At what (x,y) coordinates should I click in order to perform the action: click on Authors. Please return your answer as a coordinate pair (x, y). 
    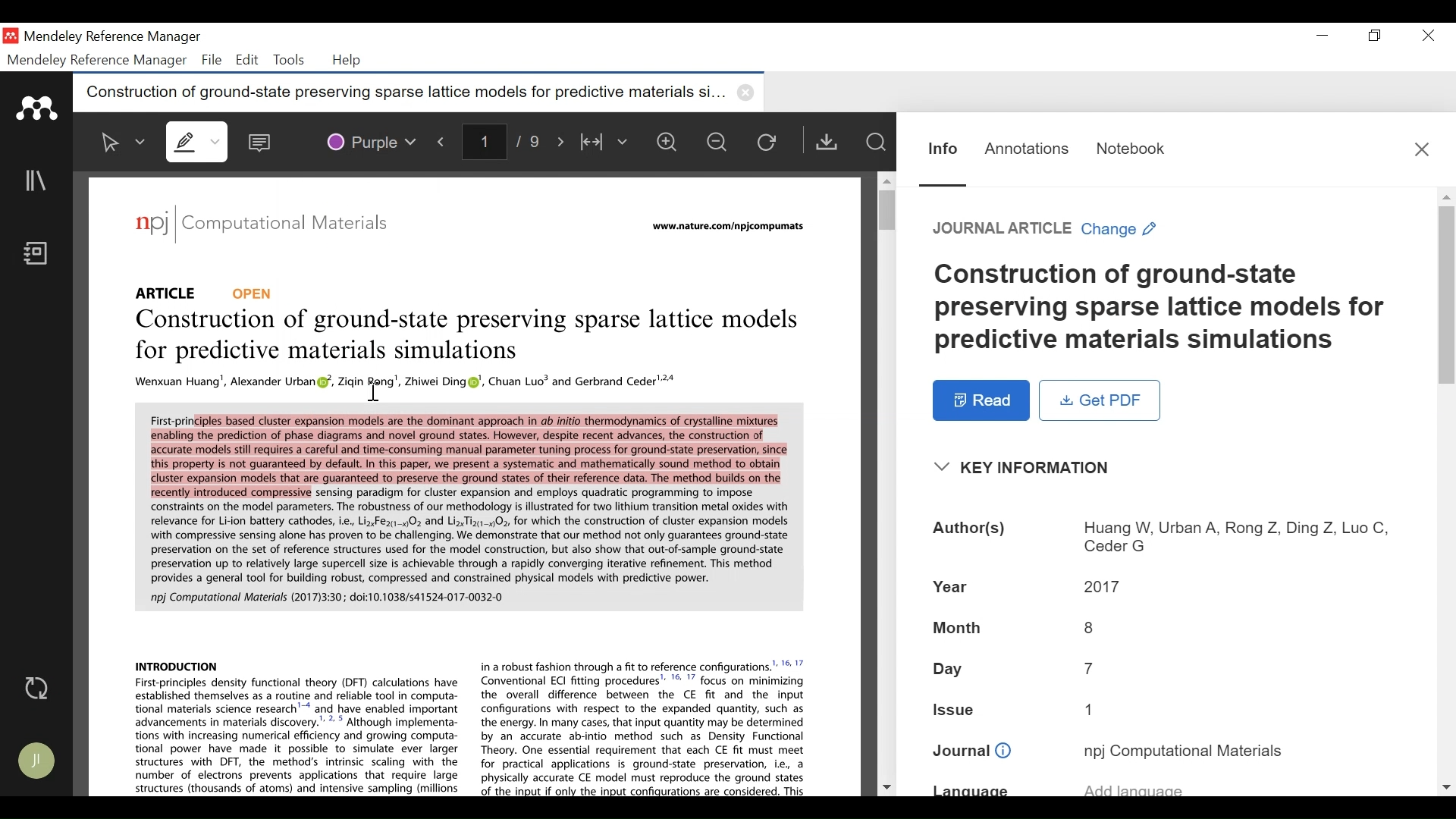
    Looking at the image, I should click on (401, 381).